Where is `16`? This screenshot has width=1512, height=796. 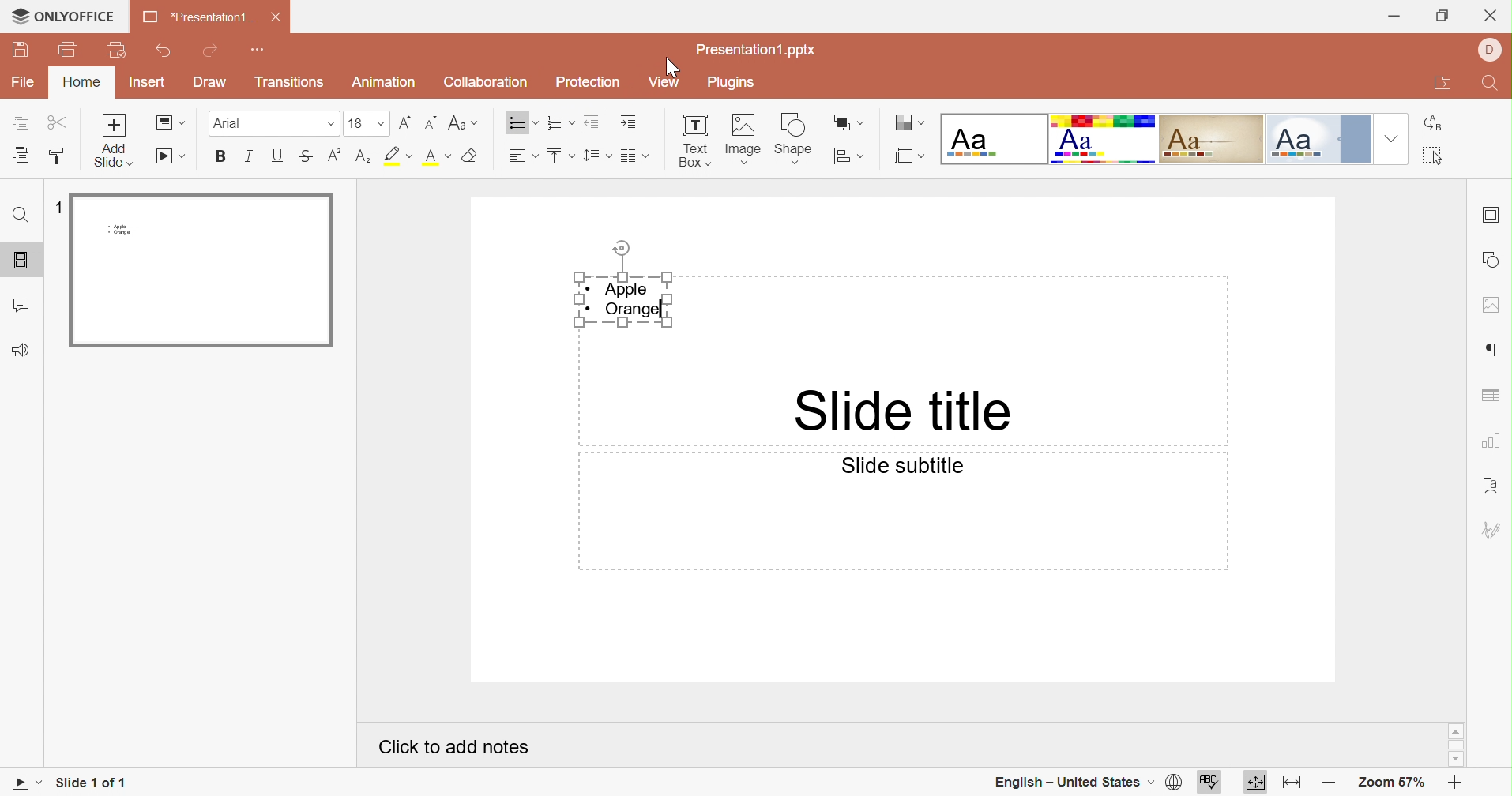
16 is located at coordinates (358, 123).